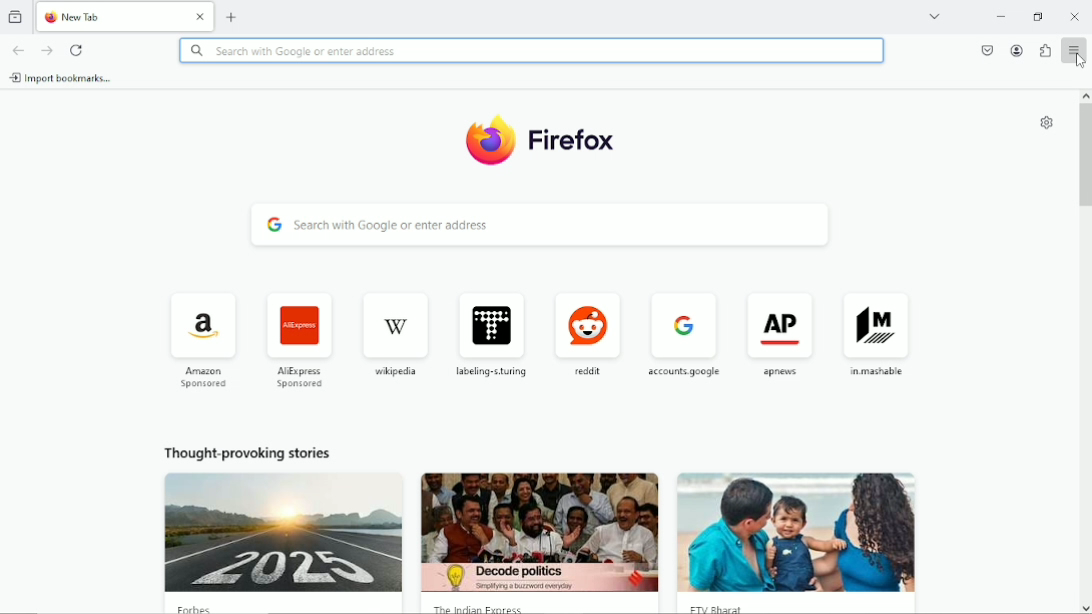  I want to click on restore down, so click(1040, 16).